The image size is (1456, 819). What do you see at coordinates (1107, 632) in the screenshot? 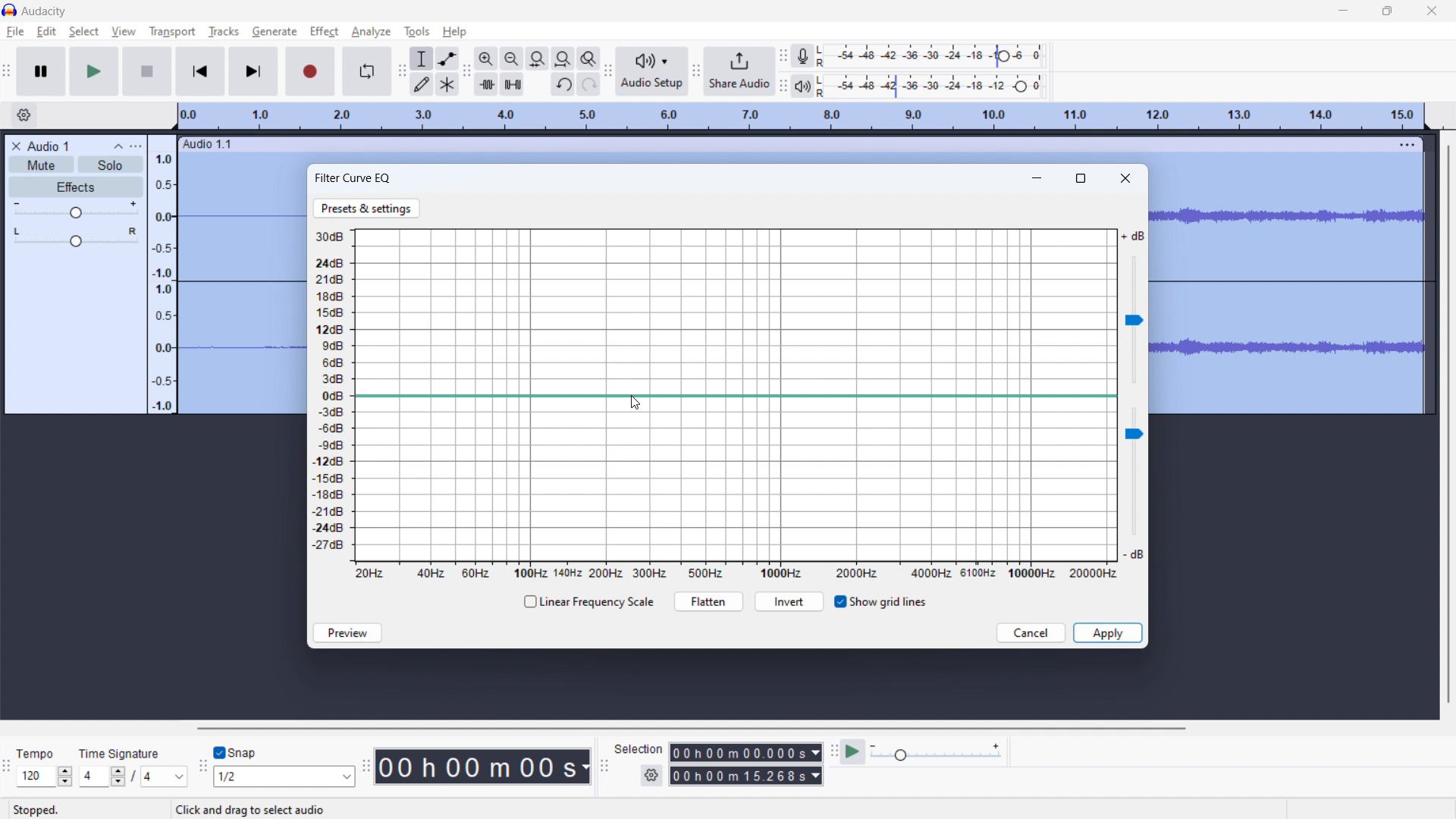
I see `apply` at bounding box center [1107, 632].